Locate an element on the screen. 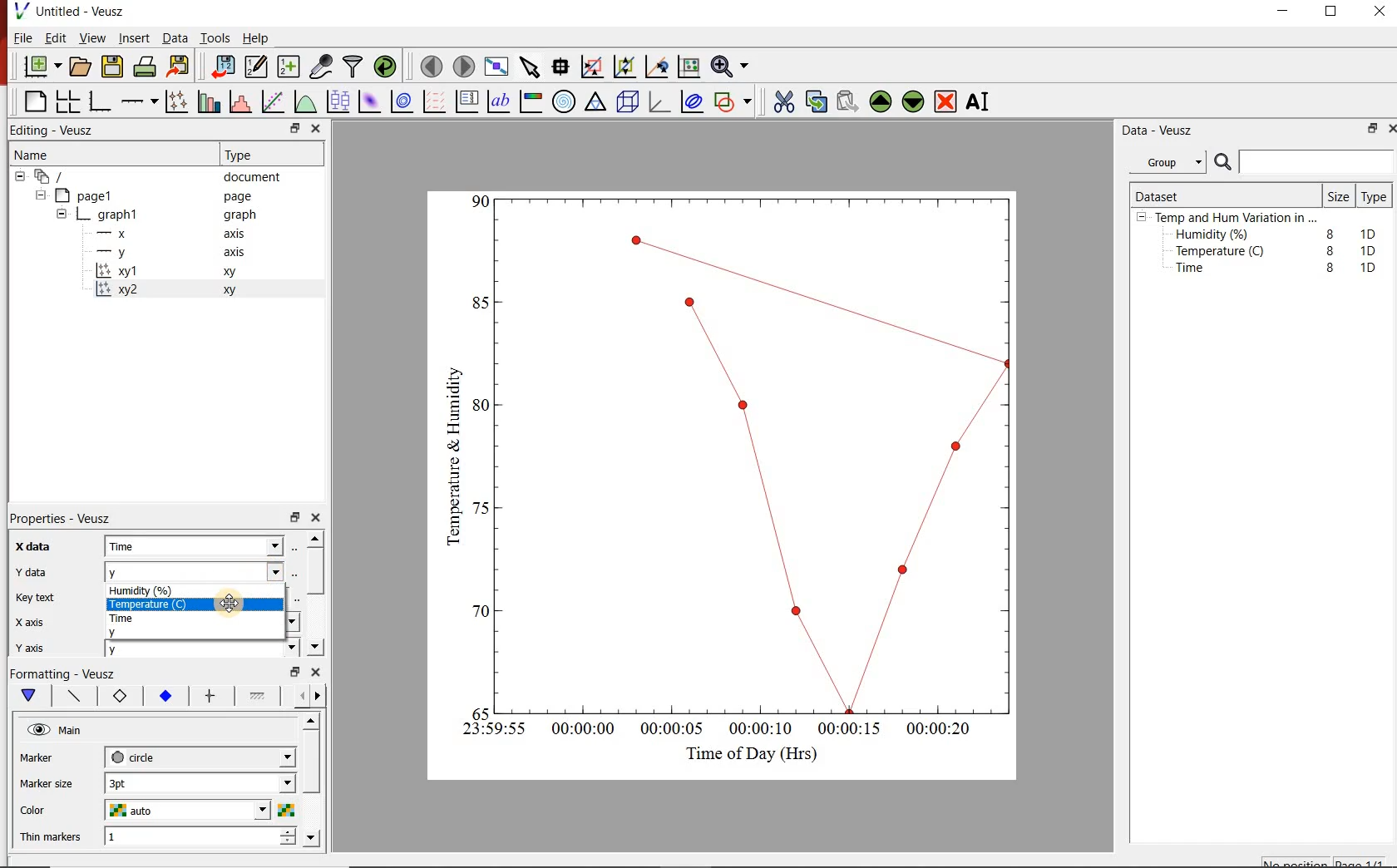 This screenshot has width=1397, height=868. restore down is located at coordinates (292, 672).